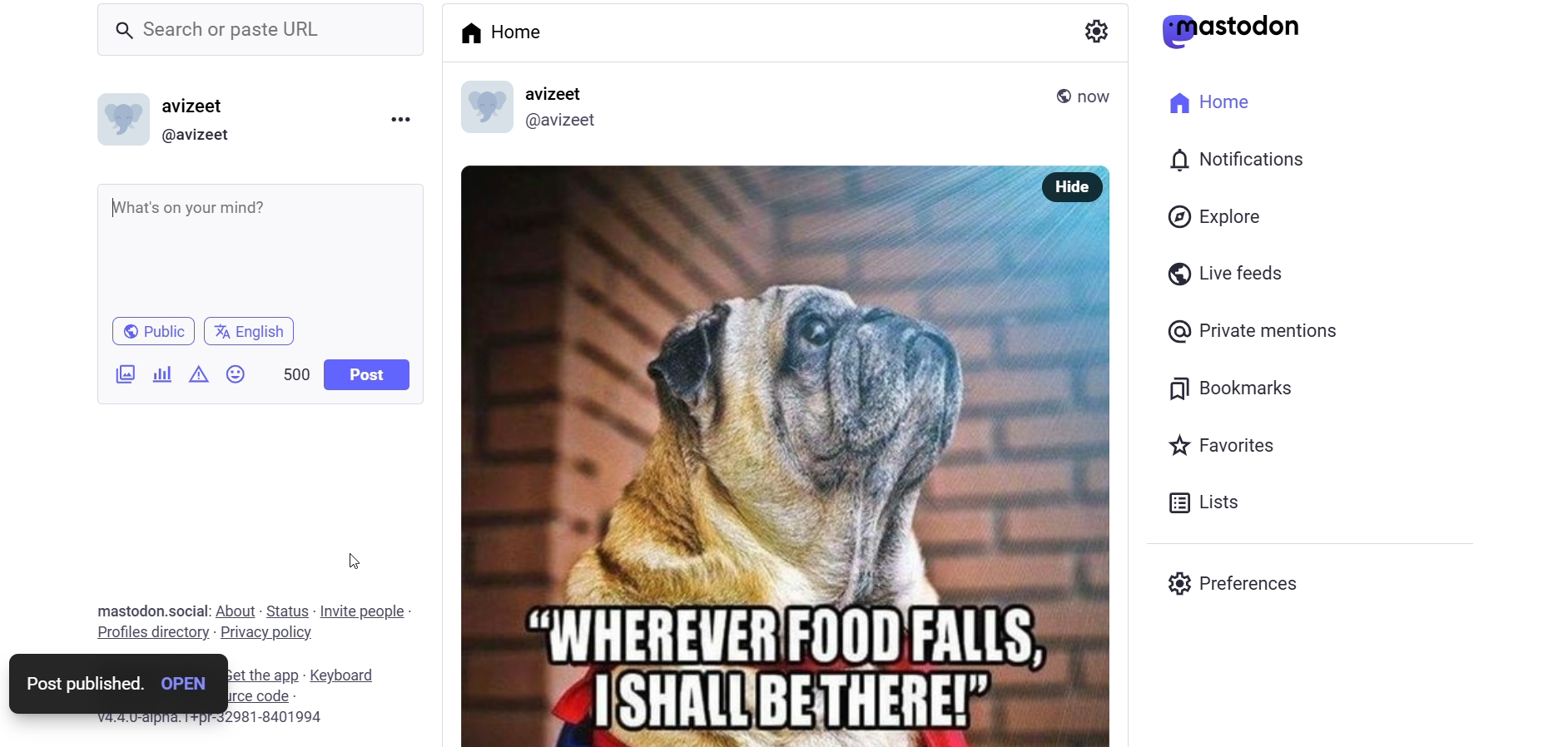 Image resolution: width=1568 pixels, height=747 pixels. Describe the element at coordinates (365, 610) in the screenshot. I see `invite people` at that location.